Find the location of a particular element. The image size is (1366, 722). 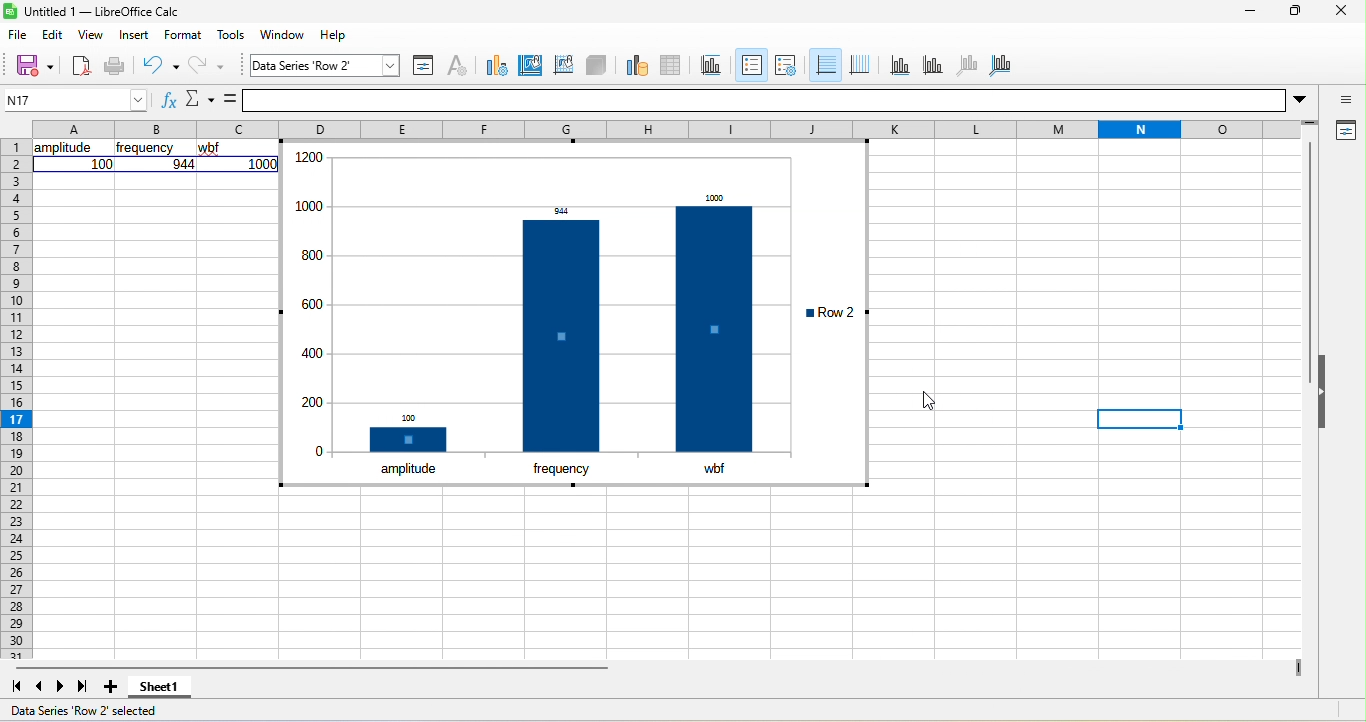

data series row 2 selected is located at coordinates (93, 710).